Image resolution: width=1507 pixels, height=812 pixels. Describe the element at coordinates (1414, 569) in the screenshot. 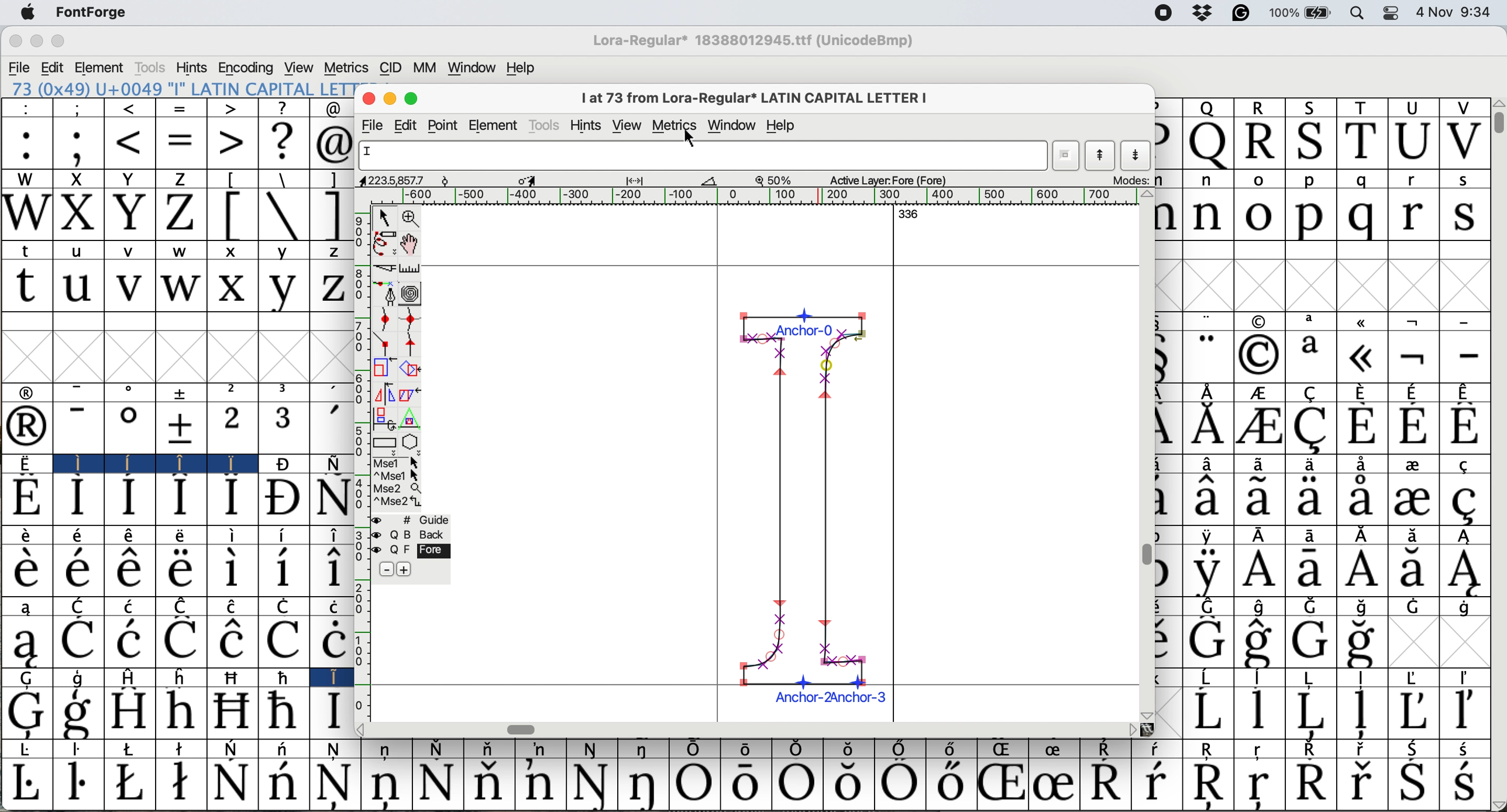

I see `Symbol` at that location.